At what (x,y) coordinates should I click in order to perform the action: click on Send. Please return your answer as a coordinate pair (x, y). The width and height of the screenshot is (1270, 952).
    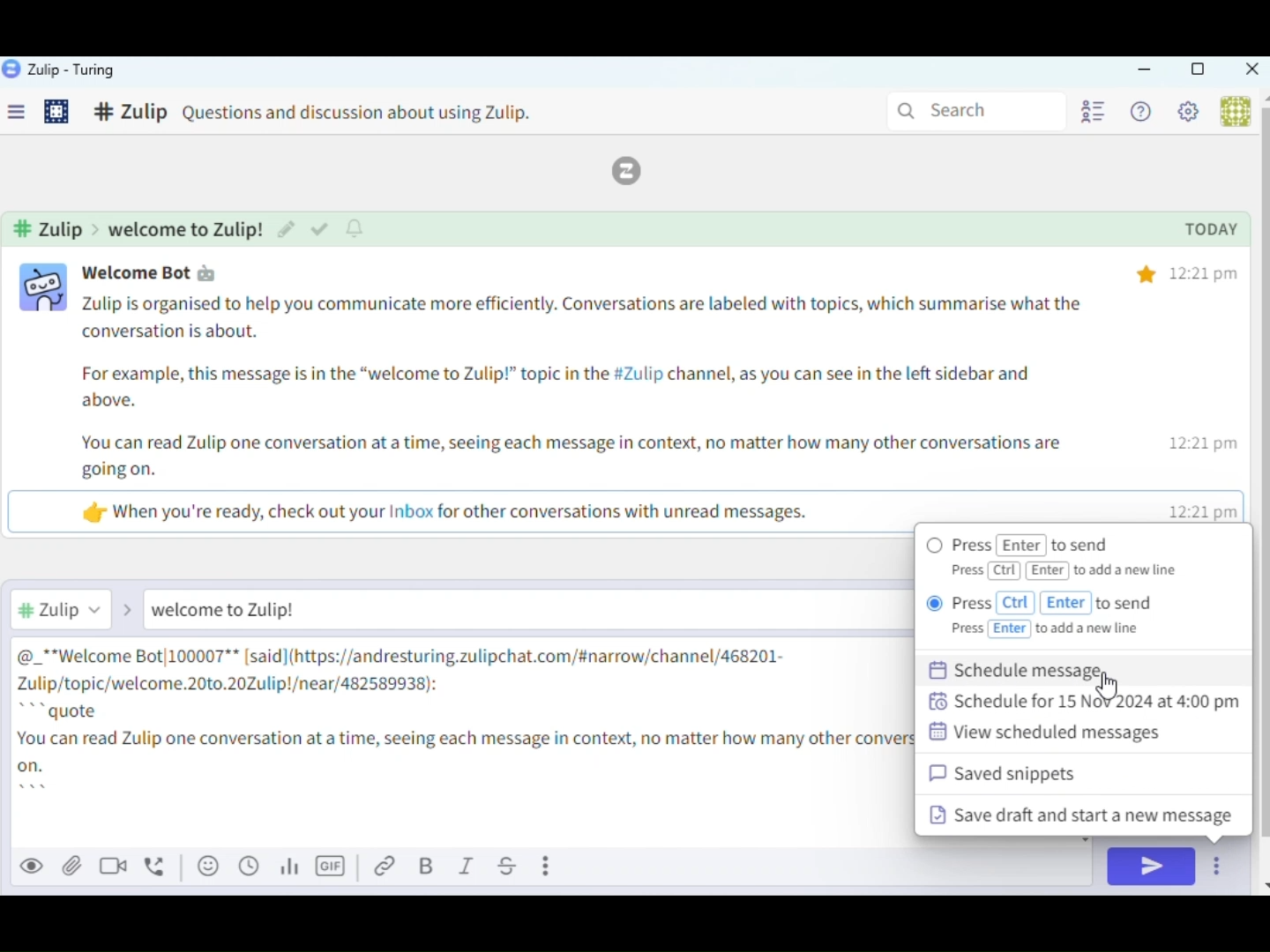
    Looking at the image, I should click on (1150, 867).